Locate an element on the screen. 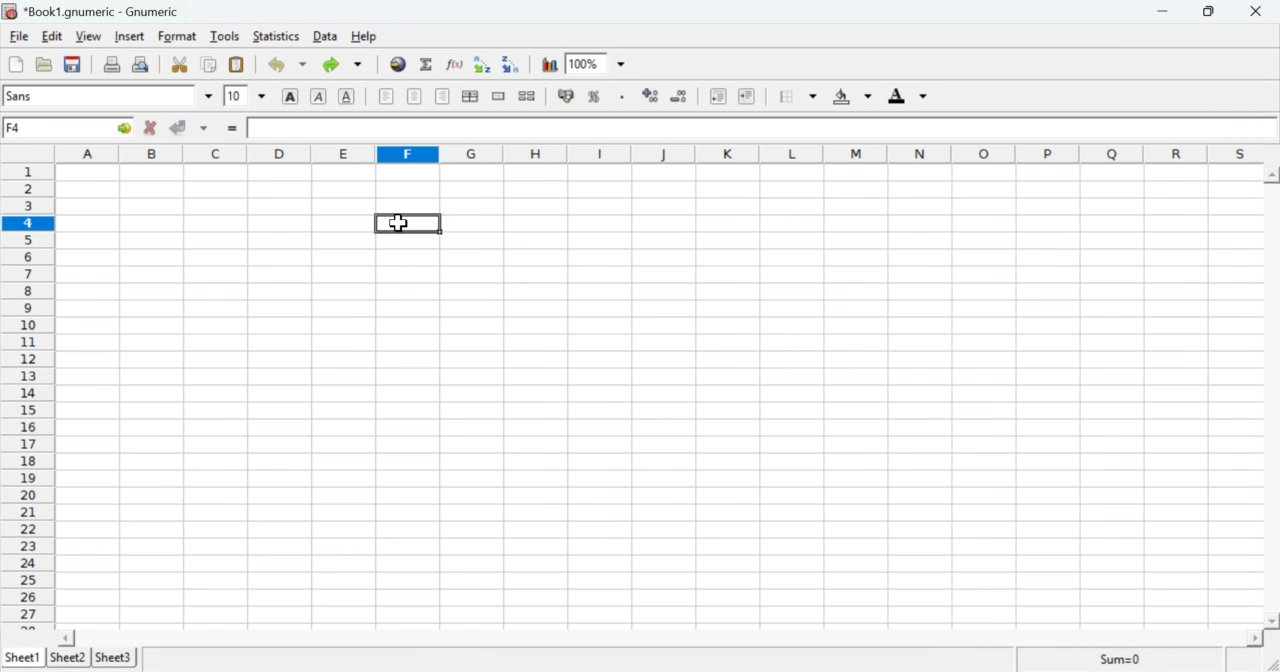  scroll bar is located at coordinates (1270, 399).